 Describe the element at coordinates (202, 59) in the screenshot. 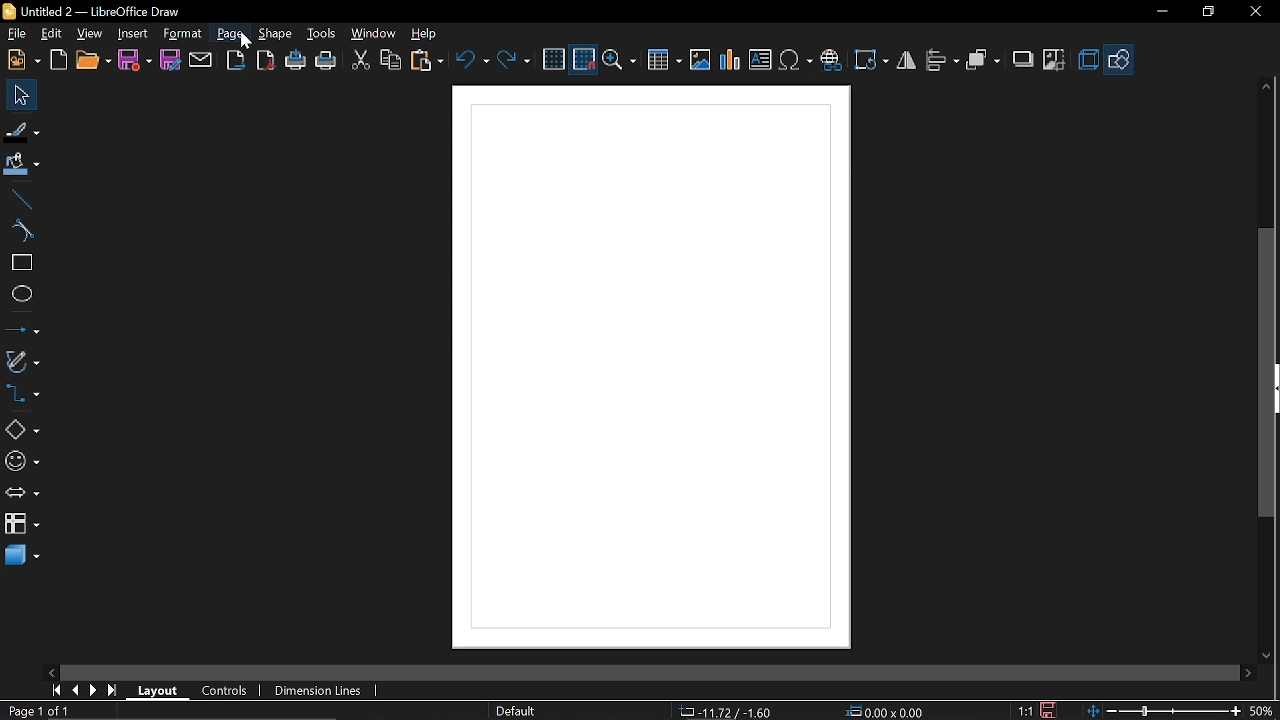

I see `Attach` at that location.